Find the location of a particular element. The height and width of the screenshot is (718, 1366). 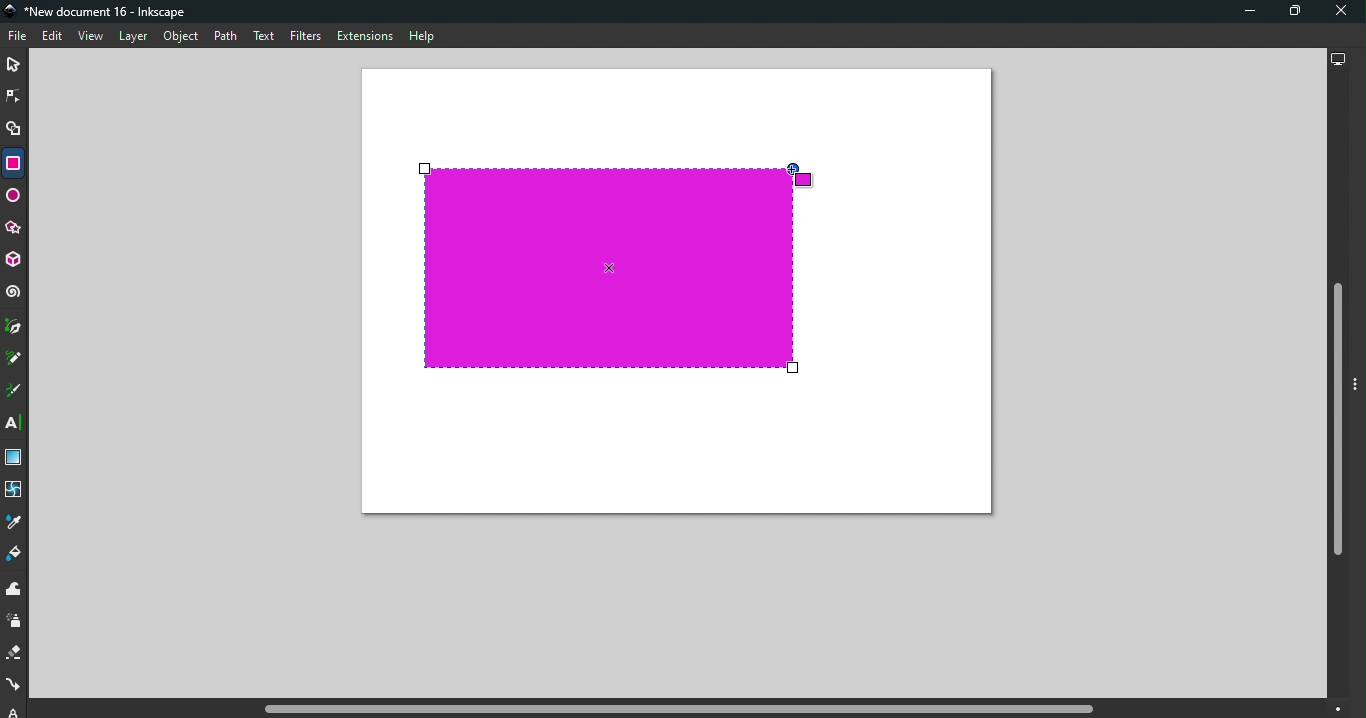

Star/polygon tool is located at coordinates (15, 229).